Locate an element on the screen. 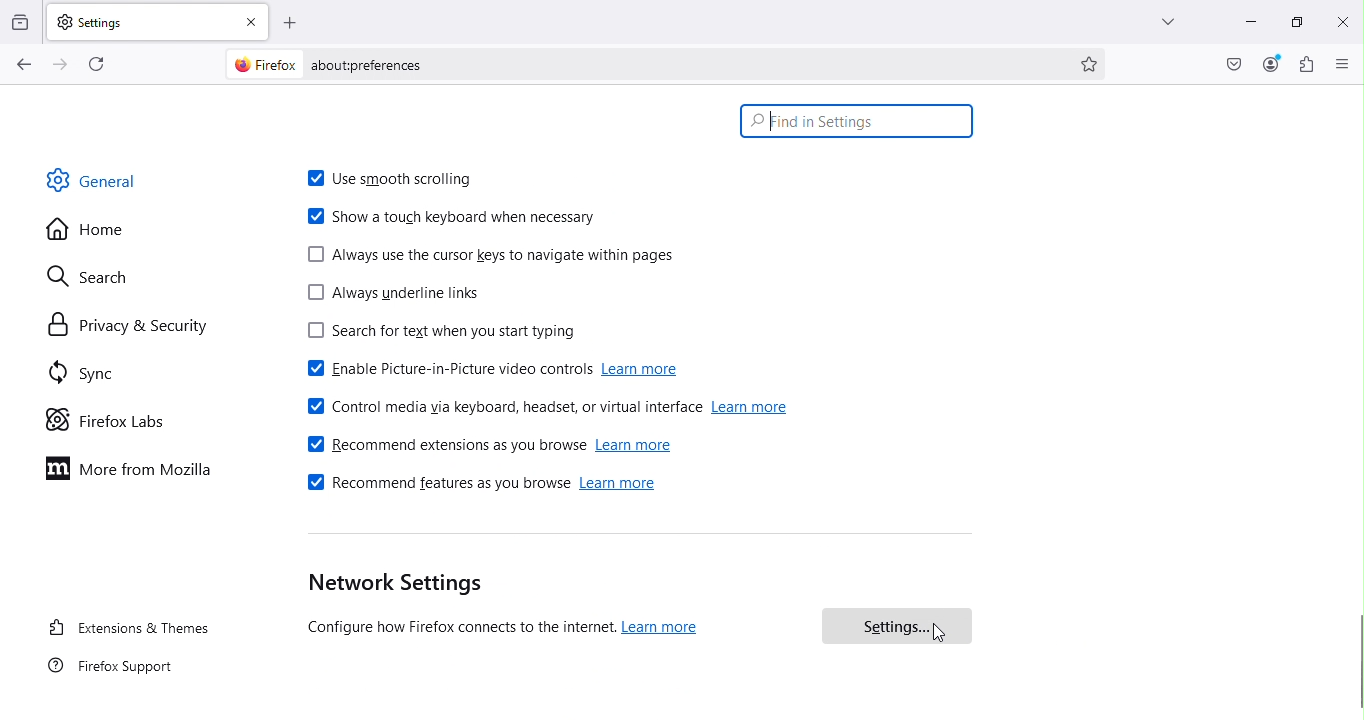 The image size is (1364, 720). Save to pocket is located at coordinates (1235, 64).